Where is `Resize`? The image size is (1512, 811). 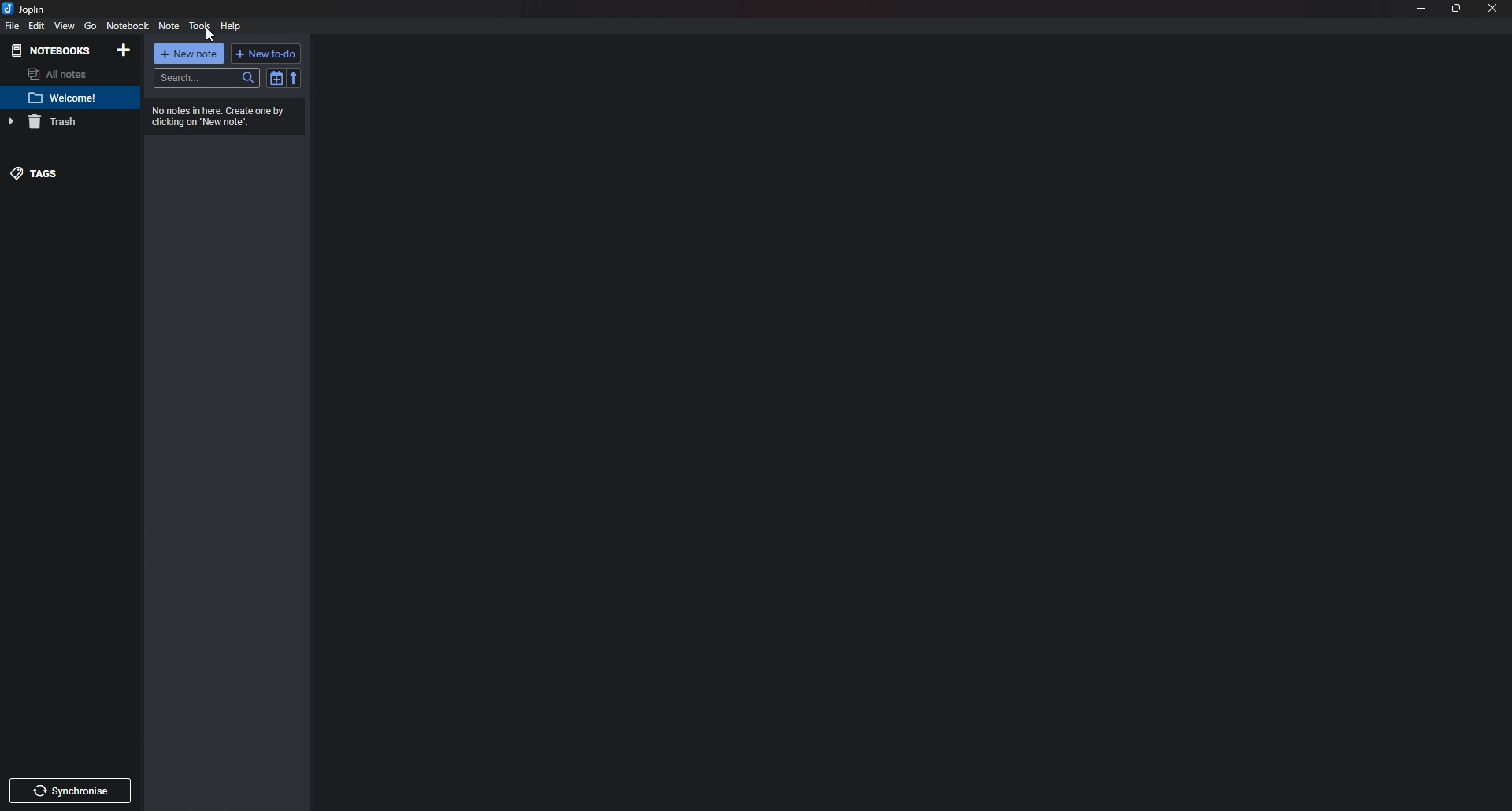
Resize is located at coordinates (1458, 9).